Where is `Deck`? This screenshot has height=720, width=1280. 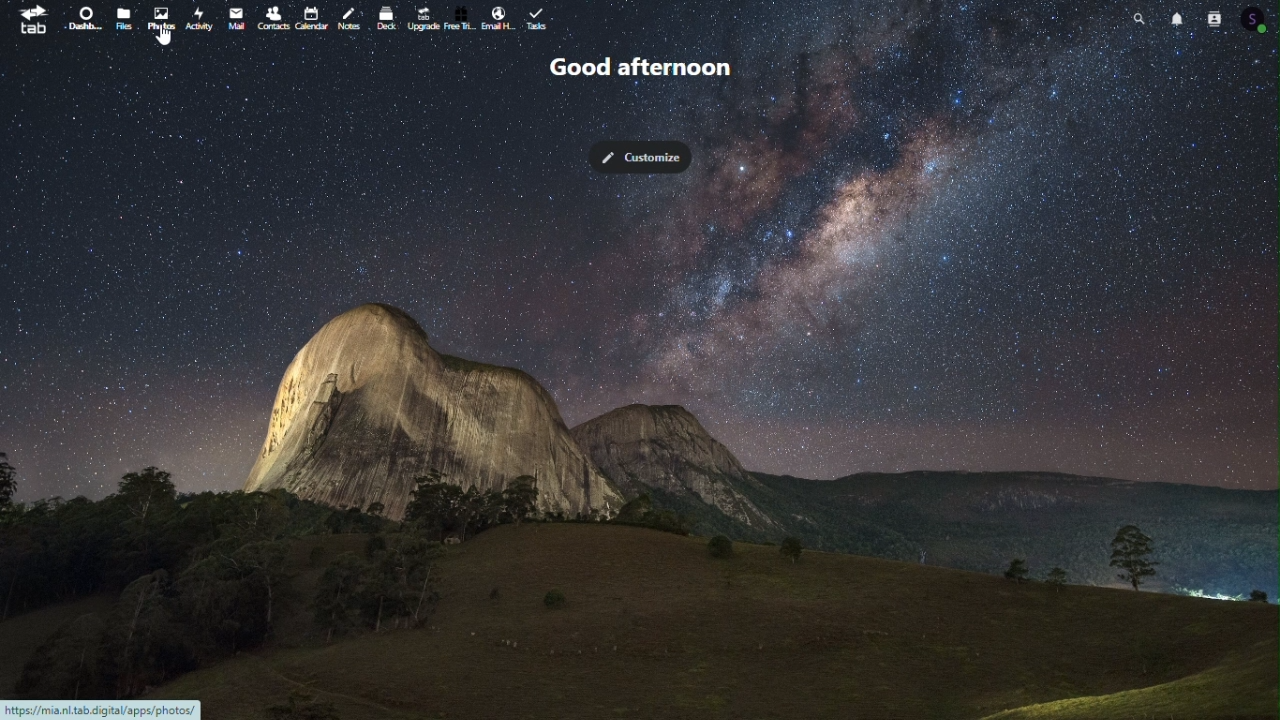
Deck is located at coordinates (383, 20).